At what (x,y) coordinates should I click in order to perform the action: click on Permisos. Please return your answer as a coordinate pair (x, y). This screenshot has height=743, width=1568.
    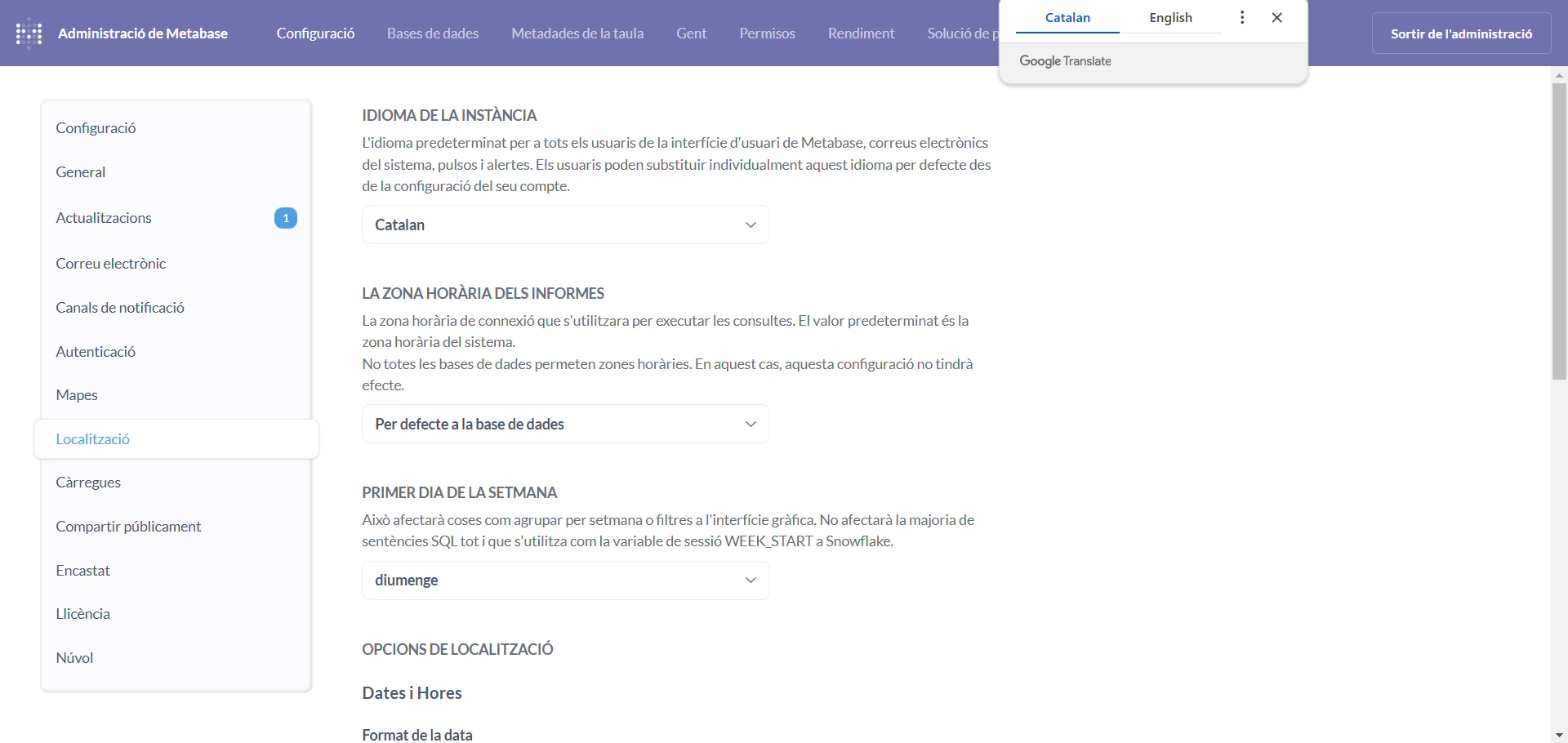
    Looking at the image, I should click on (765, 33).